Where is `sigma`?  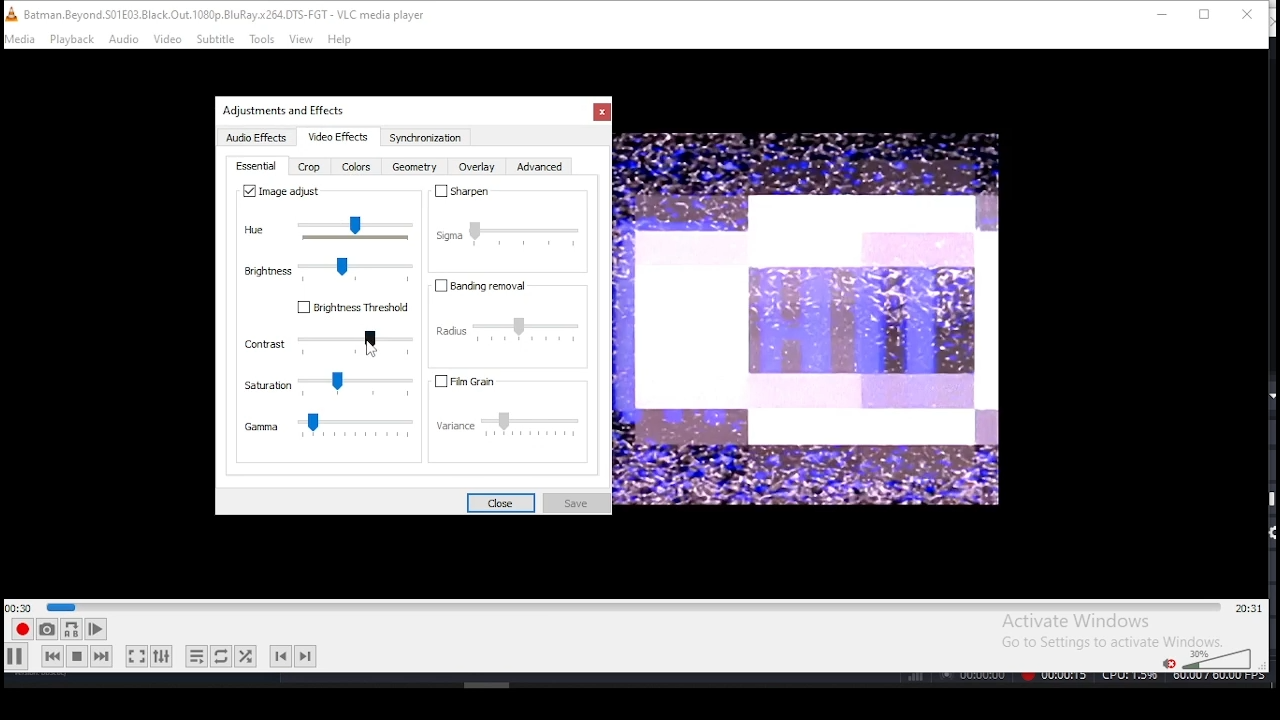 sigma is located at coordinates (508, 229).